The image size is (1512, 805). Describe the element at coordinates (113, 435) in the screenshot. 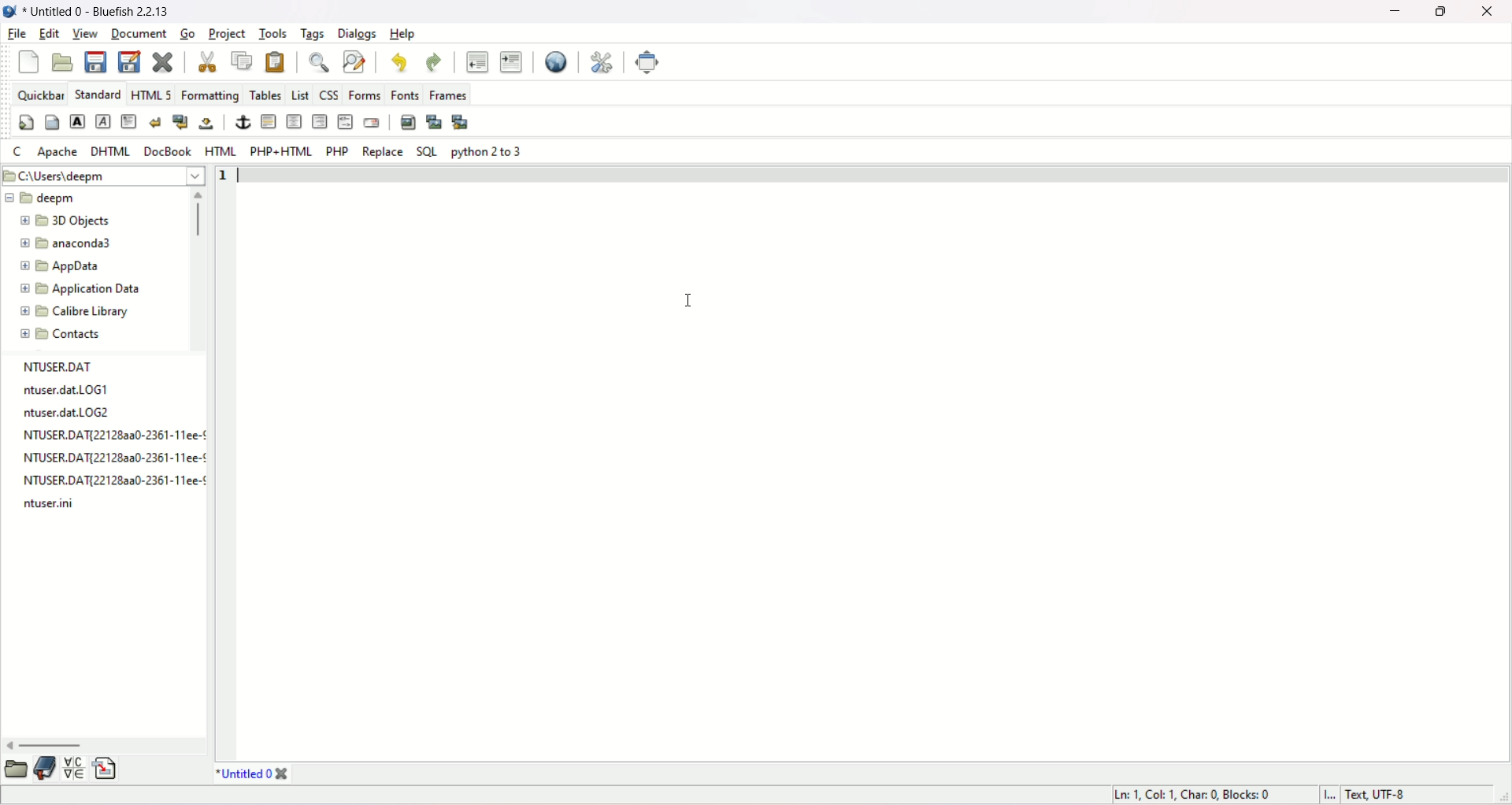

I see `file name` at that location.